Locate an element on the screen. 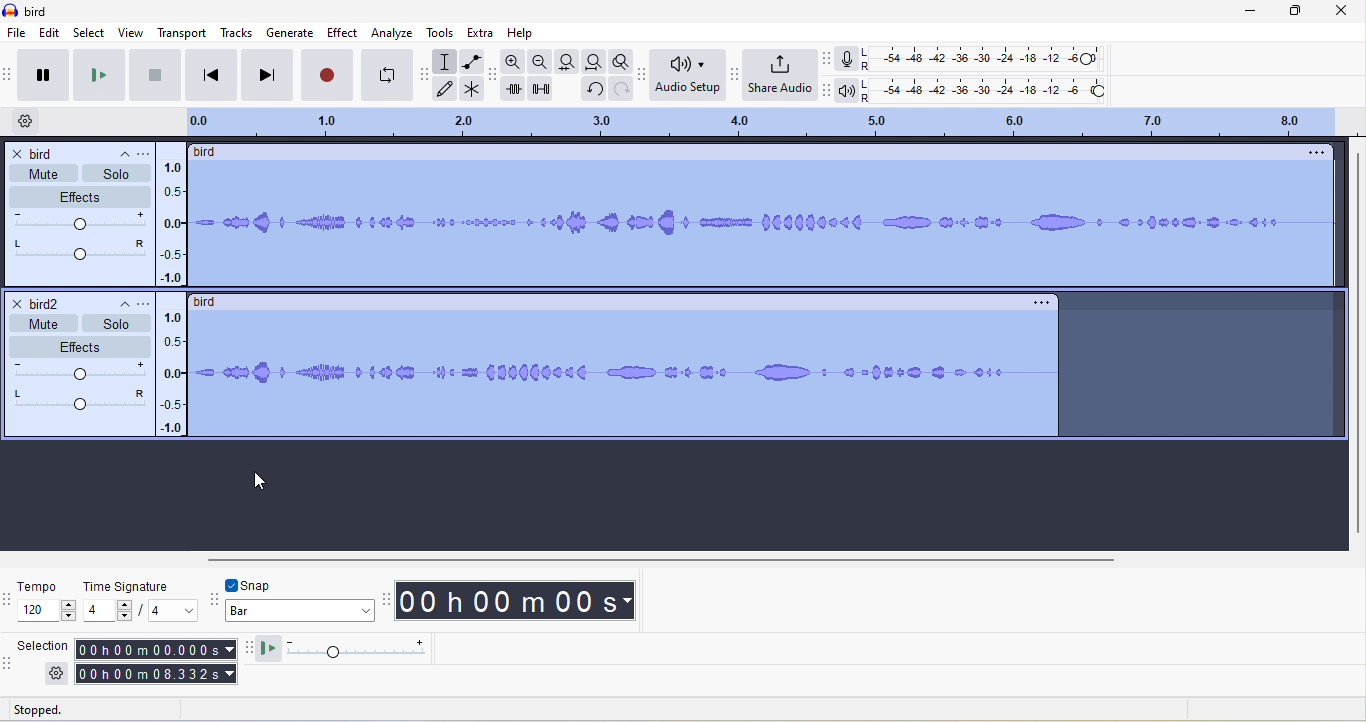 Image resolution: width=1366 pixels, height=722 pixels. file is located at coordinates (16, 33).